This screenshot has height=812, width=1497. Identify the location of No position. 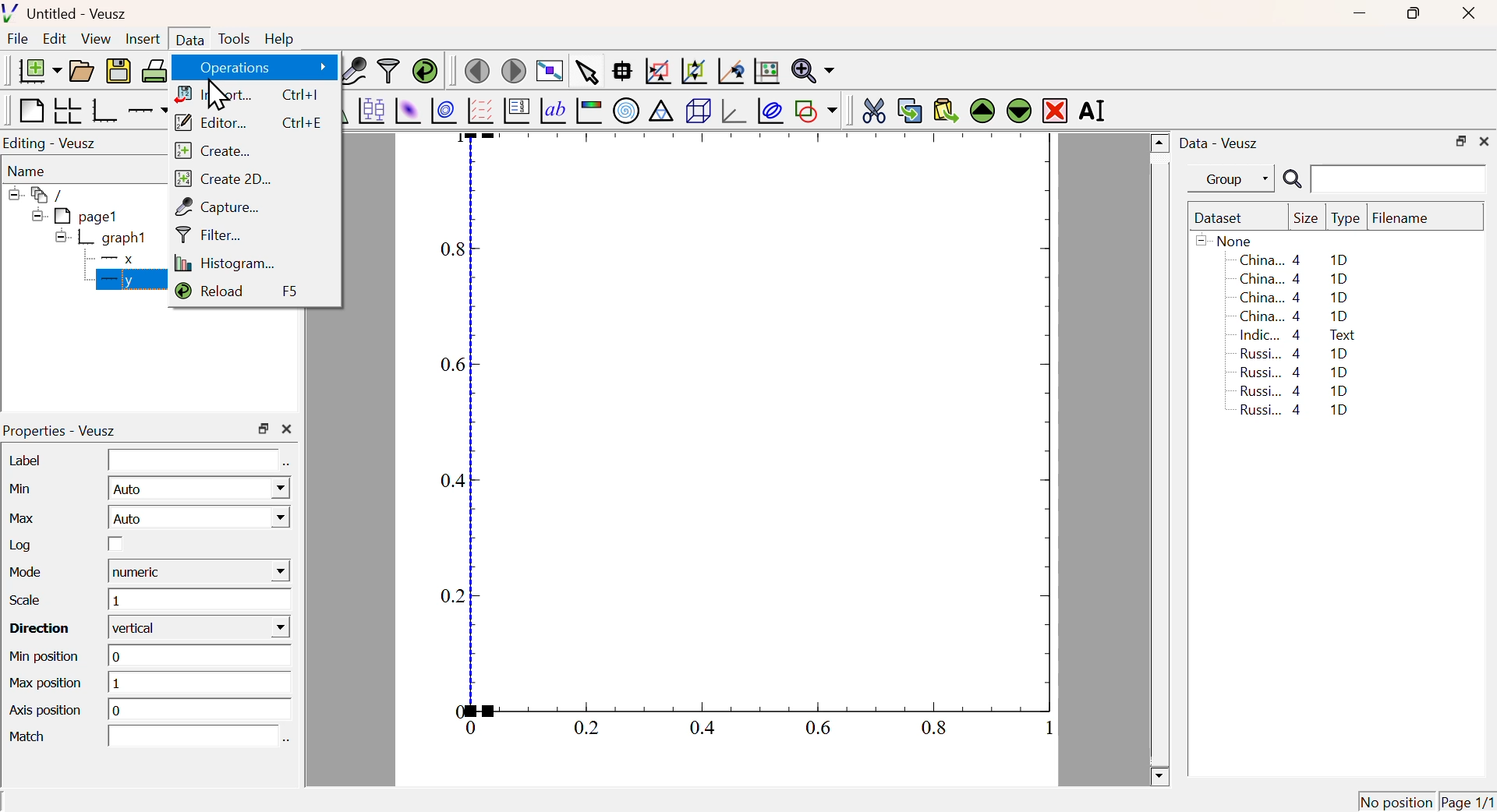
(1396, 800).